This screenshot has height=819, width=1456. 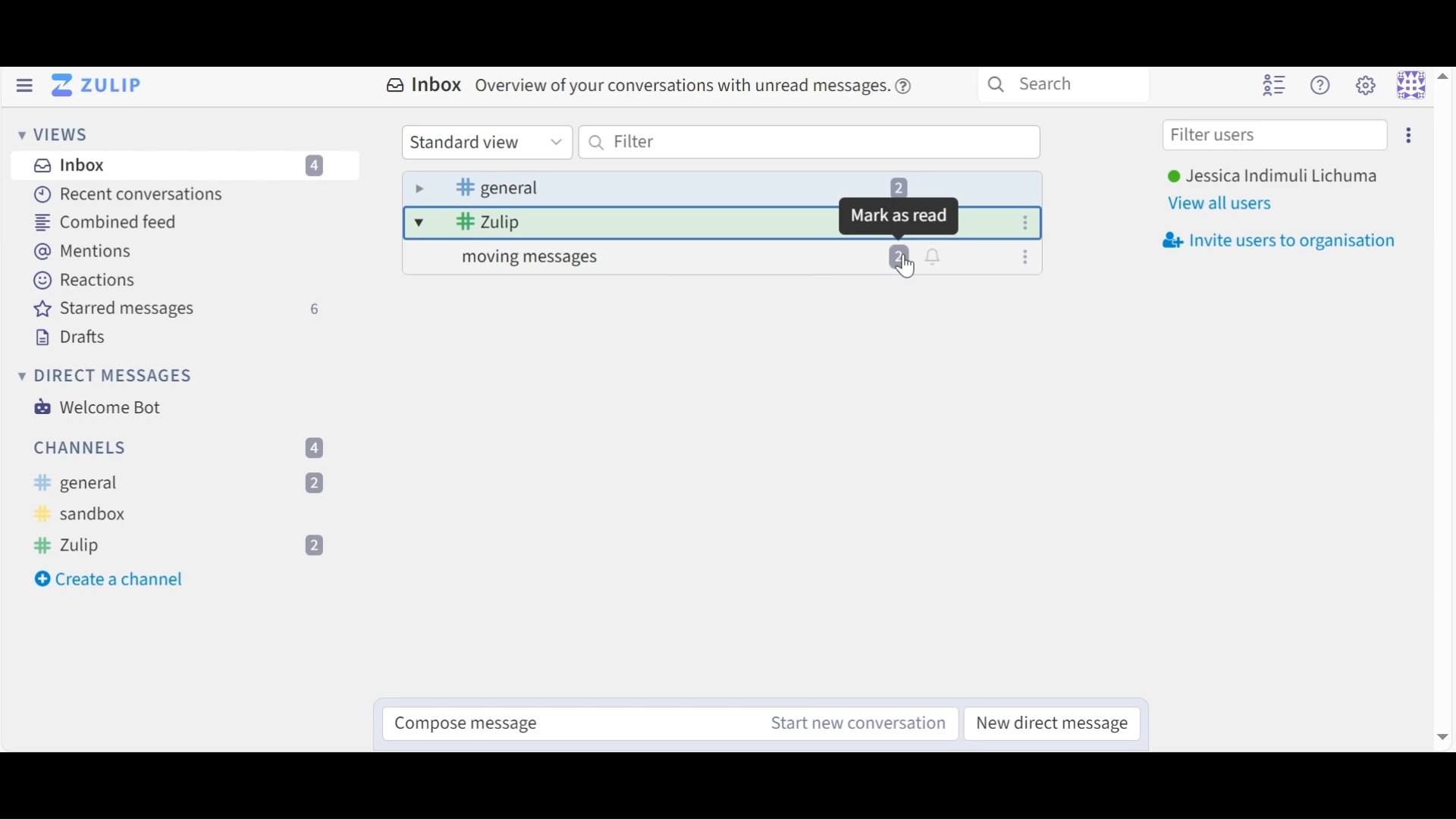 What do you see at coordinates (1444, 78) in the screenshot?
I see `Scroll up` at bounding box center [1444, 78].